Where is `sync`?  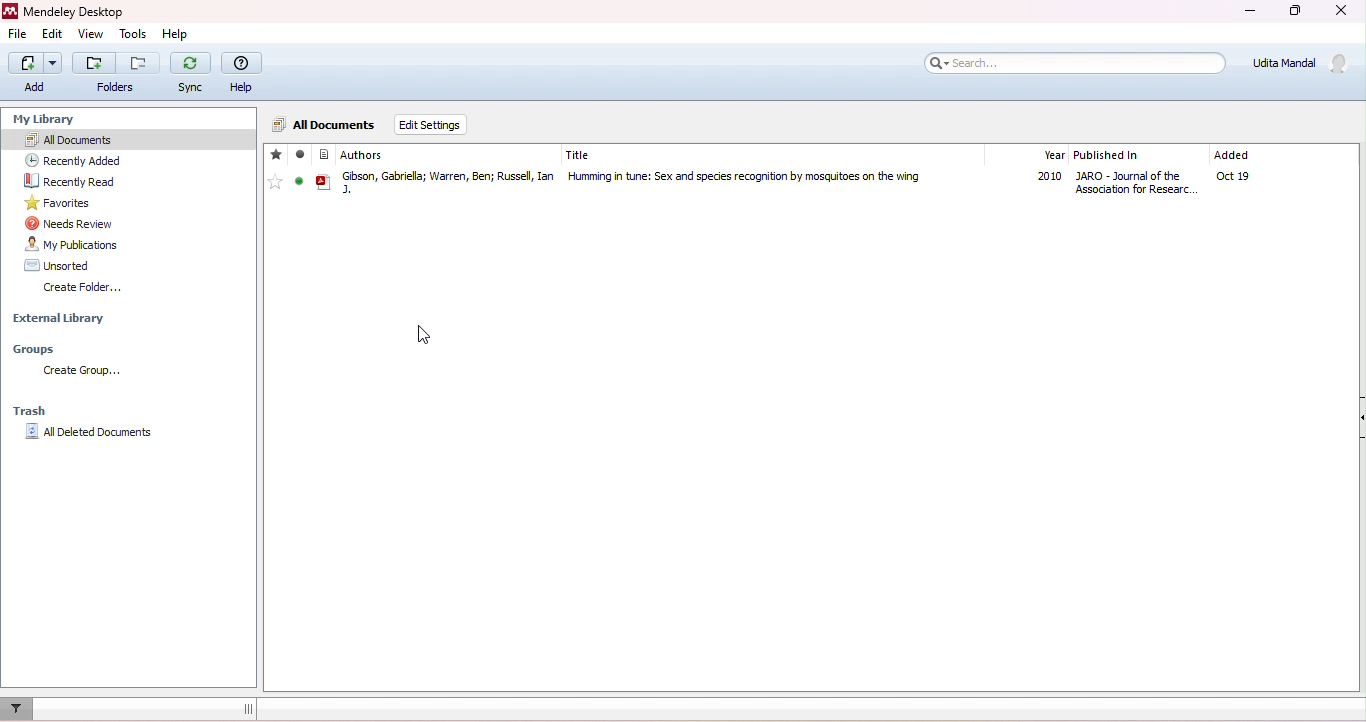 sync is located at coordinates (191, 73).